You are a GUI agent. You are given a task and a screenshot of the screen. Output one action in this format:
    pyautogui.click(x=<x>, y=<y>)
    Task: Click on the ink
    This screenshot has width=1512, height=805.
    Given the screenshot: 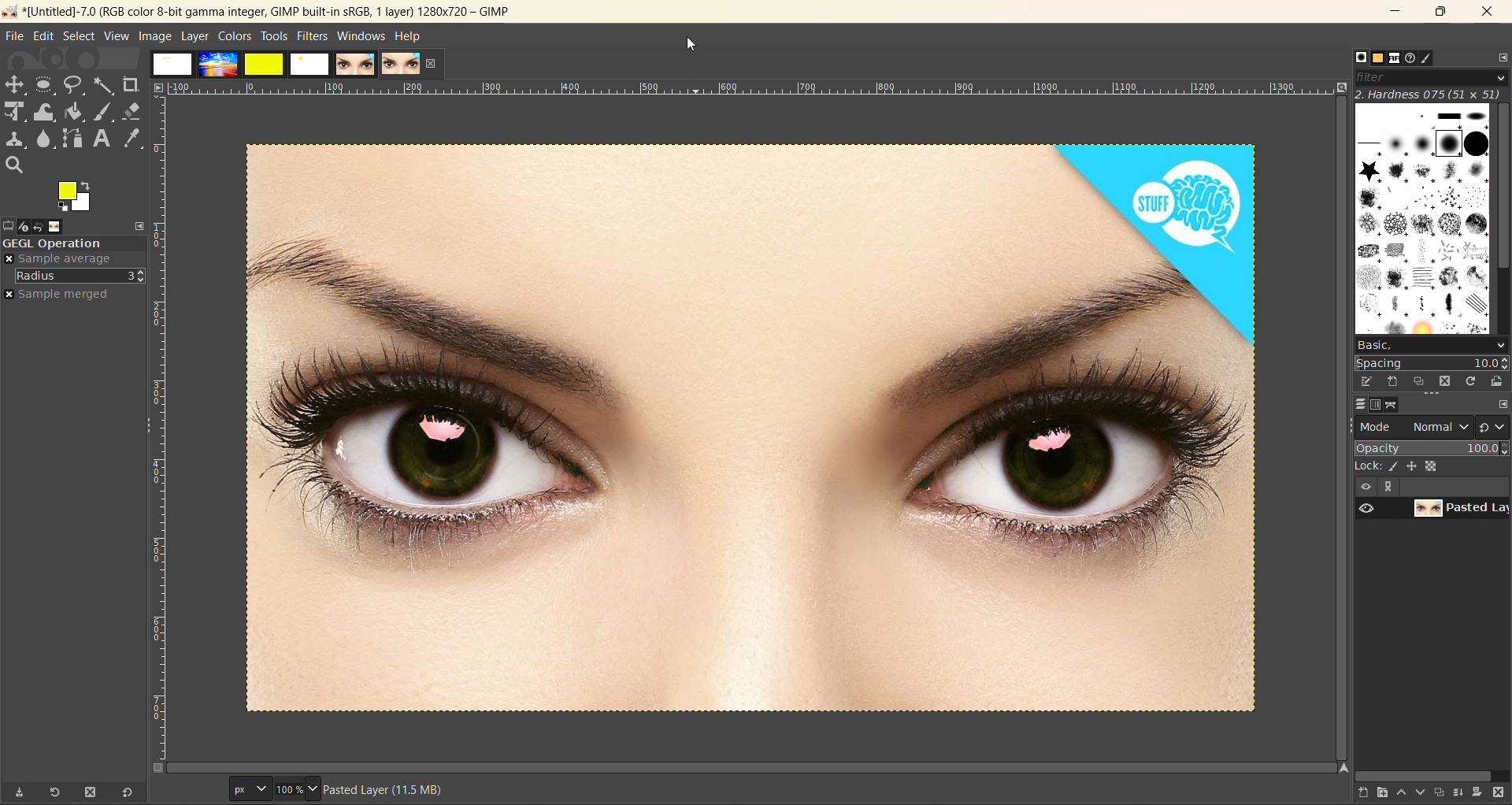 What is the action you would take?
    pyautogui.click(x=106, y=112)
    